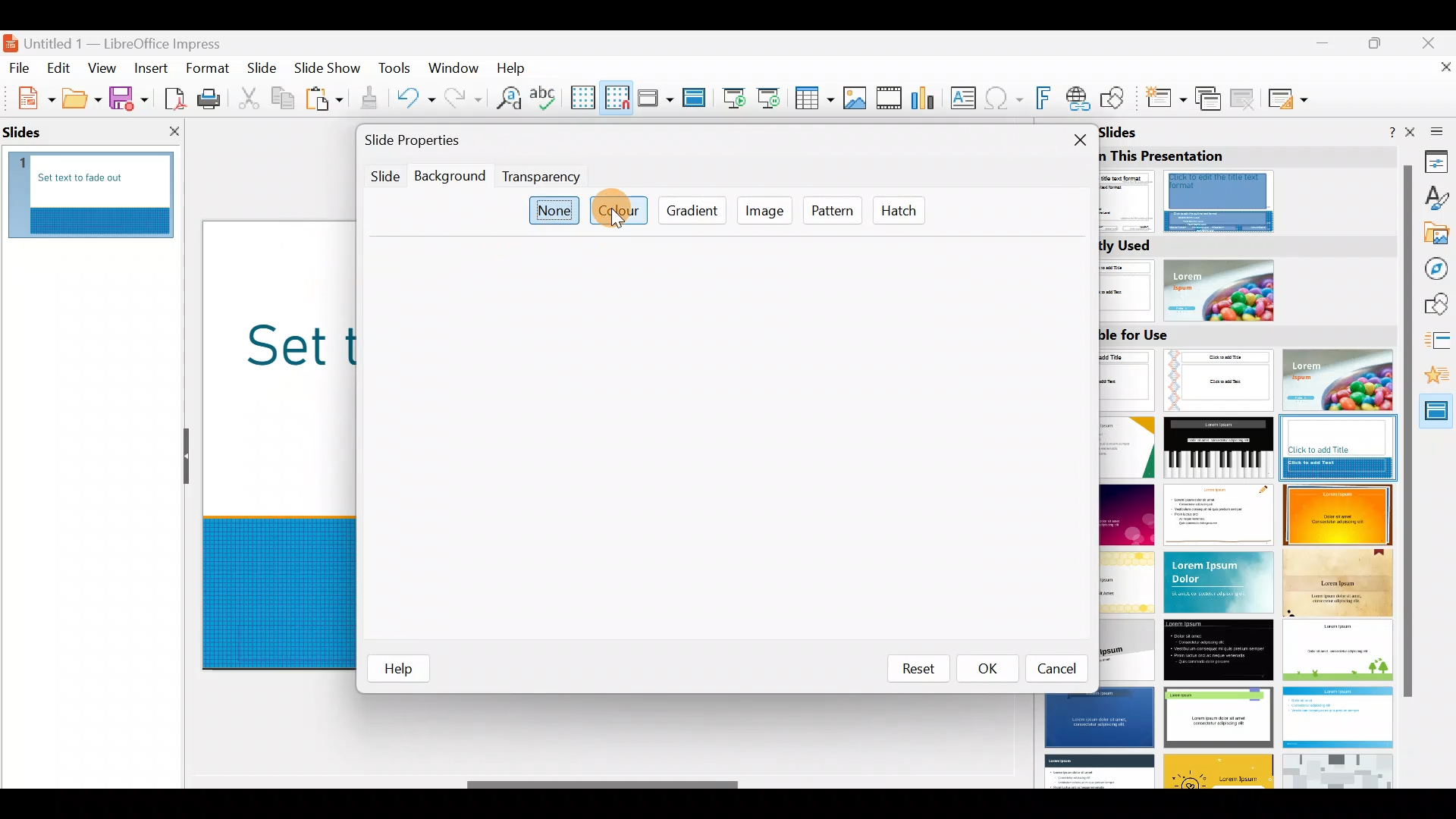 The image size is (1456, 819). Describe the element at coordinates (654, 97) in the screenshot. I see `Display views` at that location.